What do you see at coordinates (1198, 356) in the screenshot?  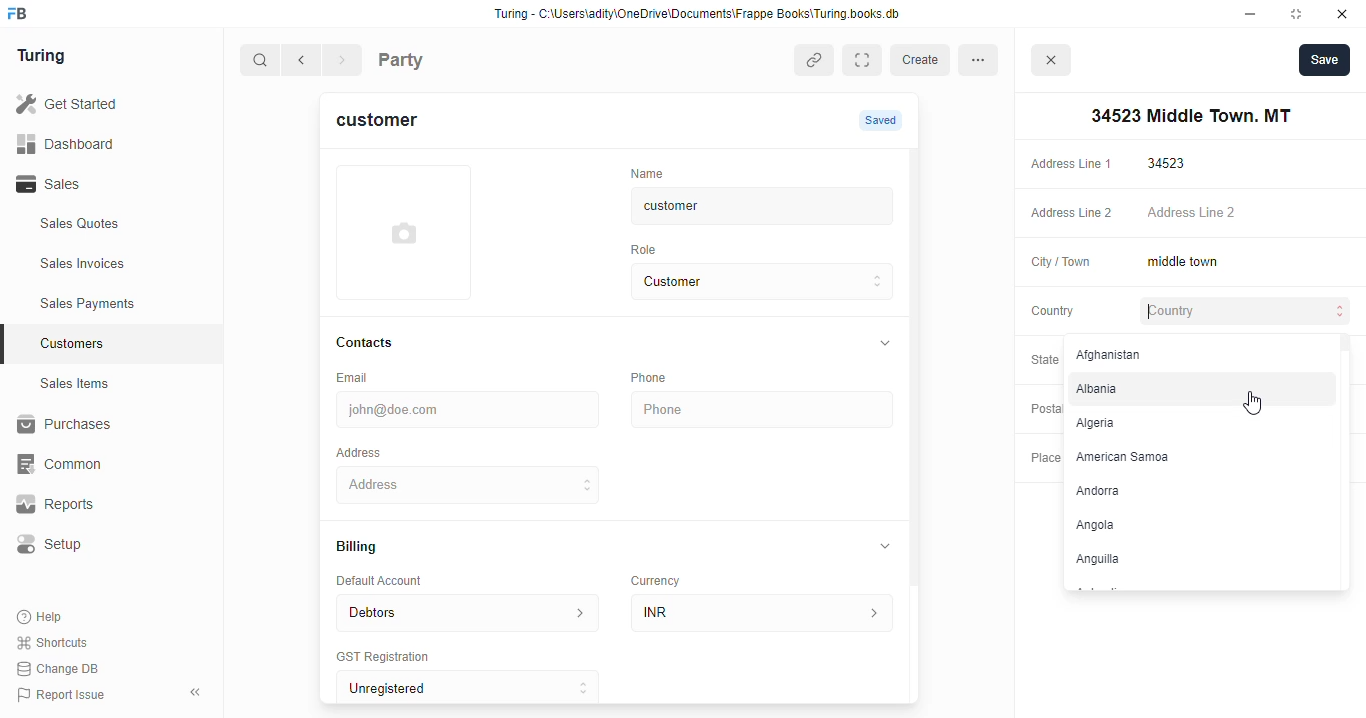 I see `Afghanistan` at bounding box center [1198, 356].